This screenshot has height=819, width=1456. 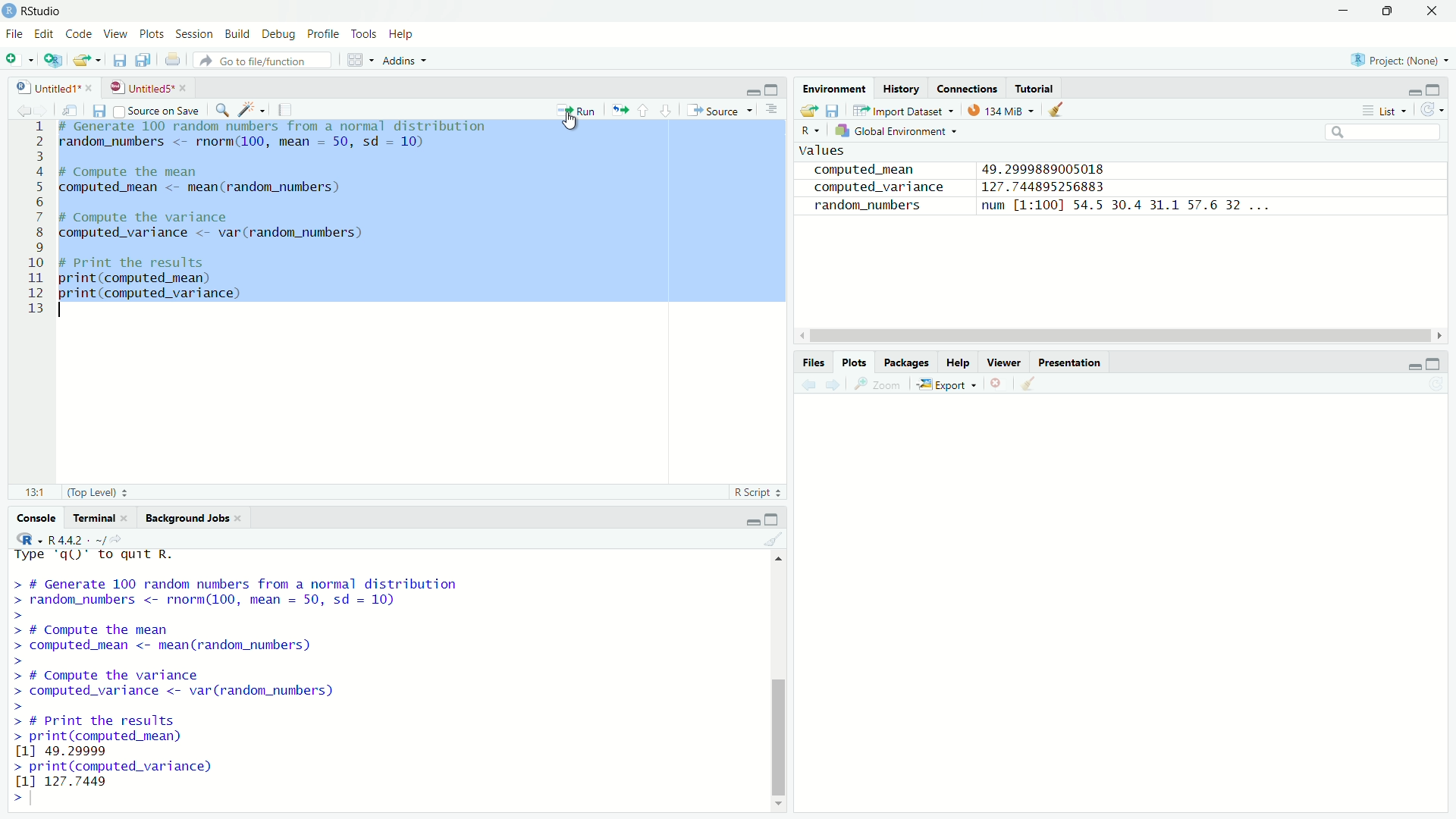 What do you see at coordinates (43, 108) in the screenshot?
I see `go forward to the next source location` at bounding box center [43, 108].